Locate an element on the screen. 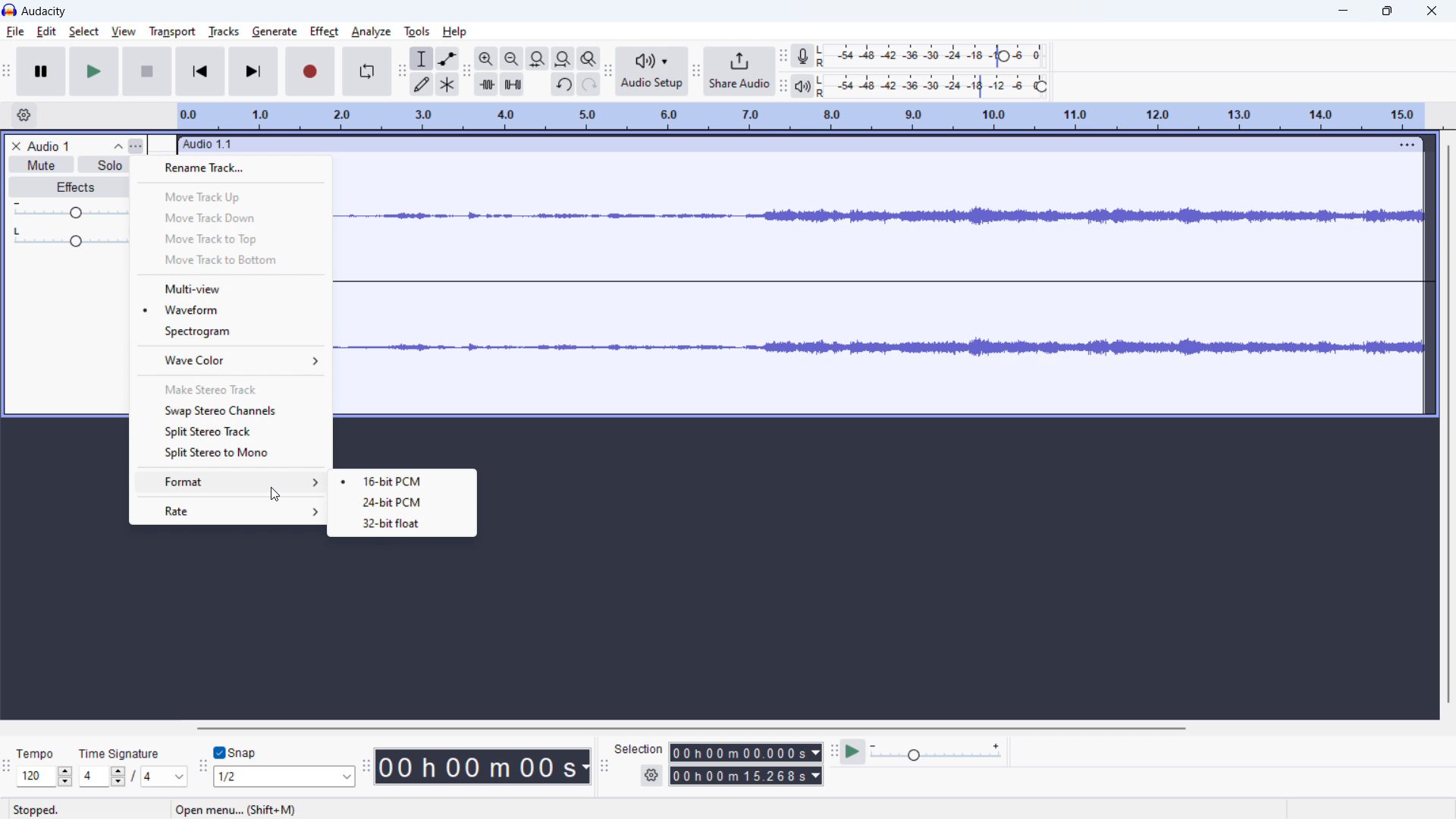 Image resolution: width=1456 pixels, height=819 pixels. play is located at coordinates (94, 71).